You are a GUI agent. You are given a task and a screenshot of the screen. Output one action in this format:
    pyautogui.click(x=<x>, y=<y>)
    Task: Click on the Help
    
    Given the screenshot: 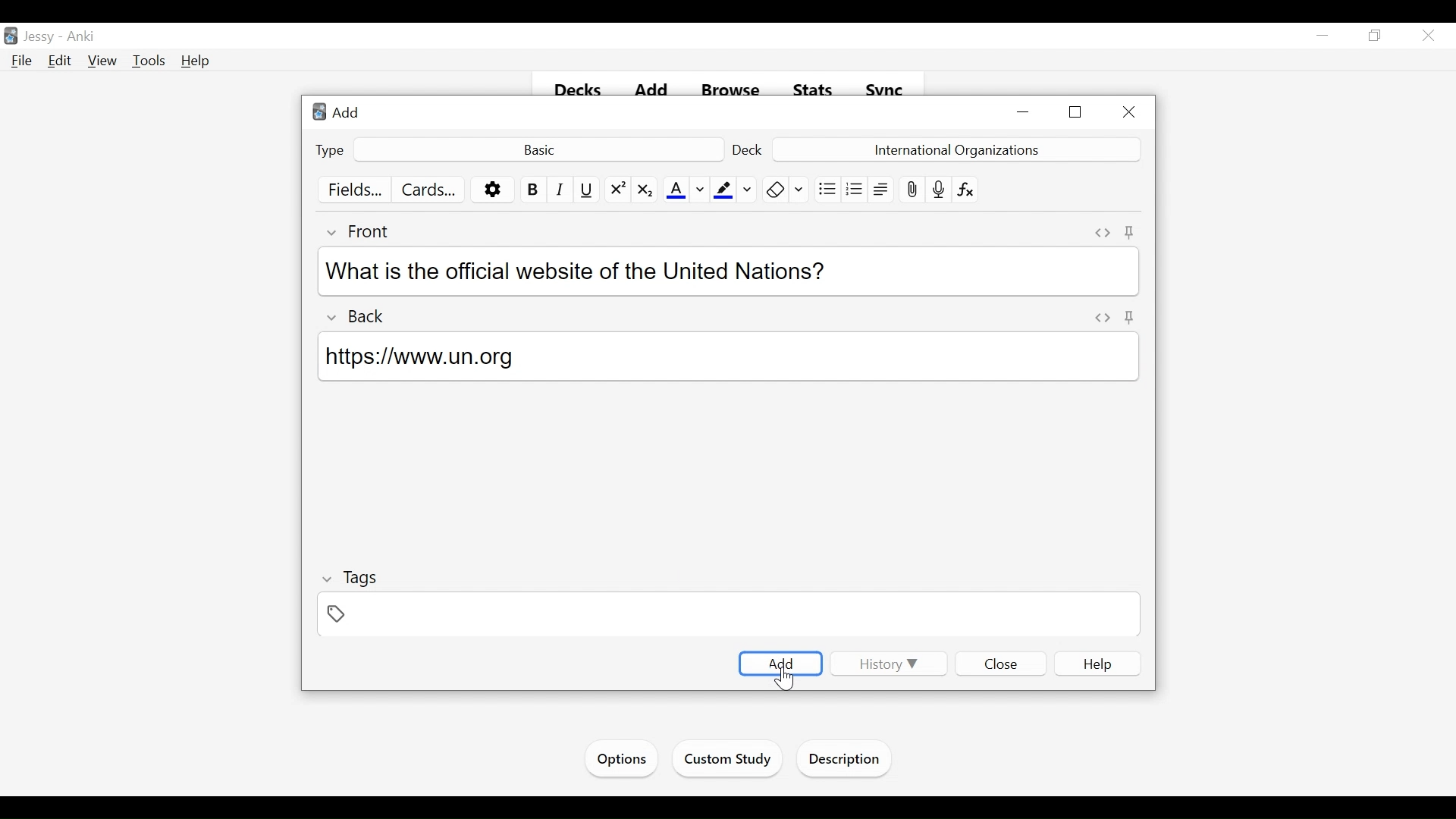 What is the action you would take?
    pyautogui.click(x=1097, y=663)
    